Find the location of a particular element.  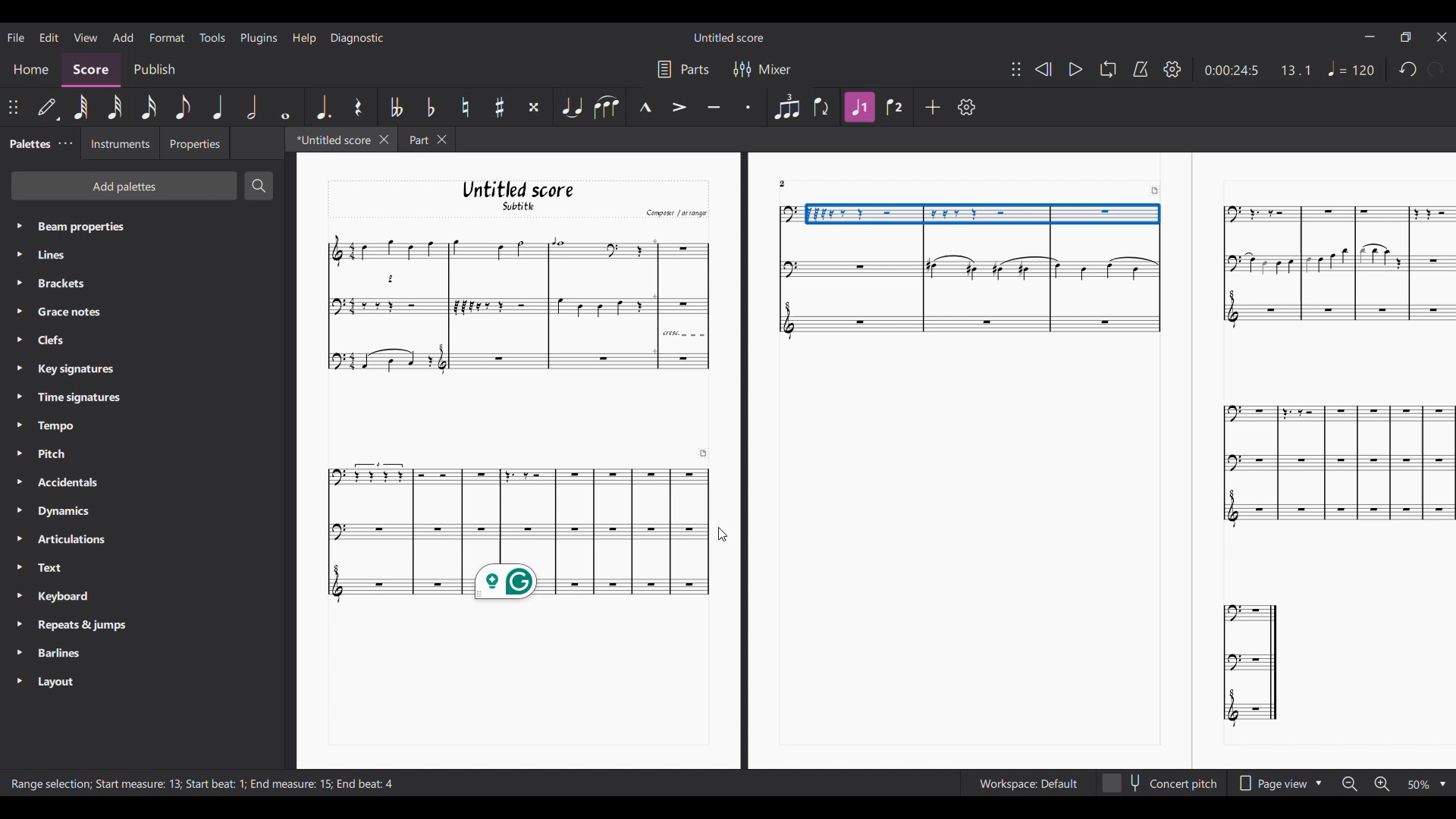

Rewind is located at coordinates (1042, 69).